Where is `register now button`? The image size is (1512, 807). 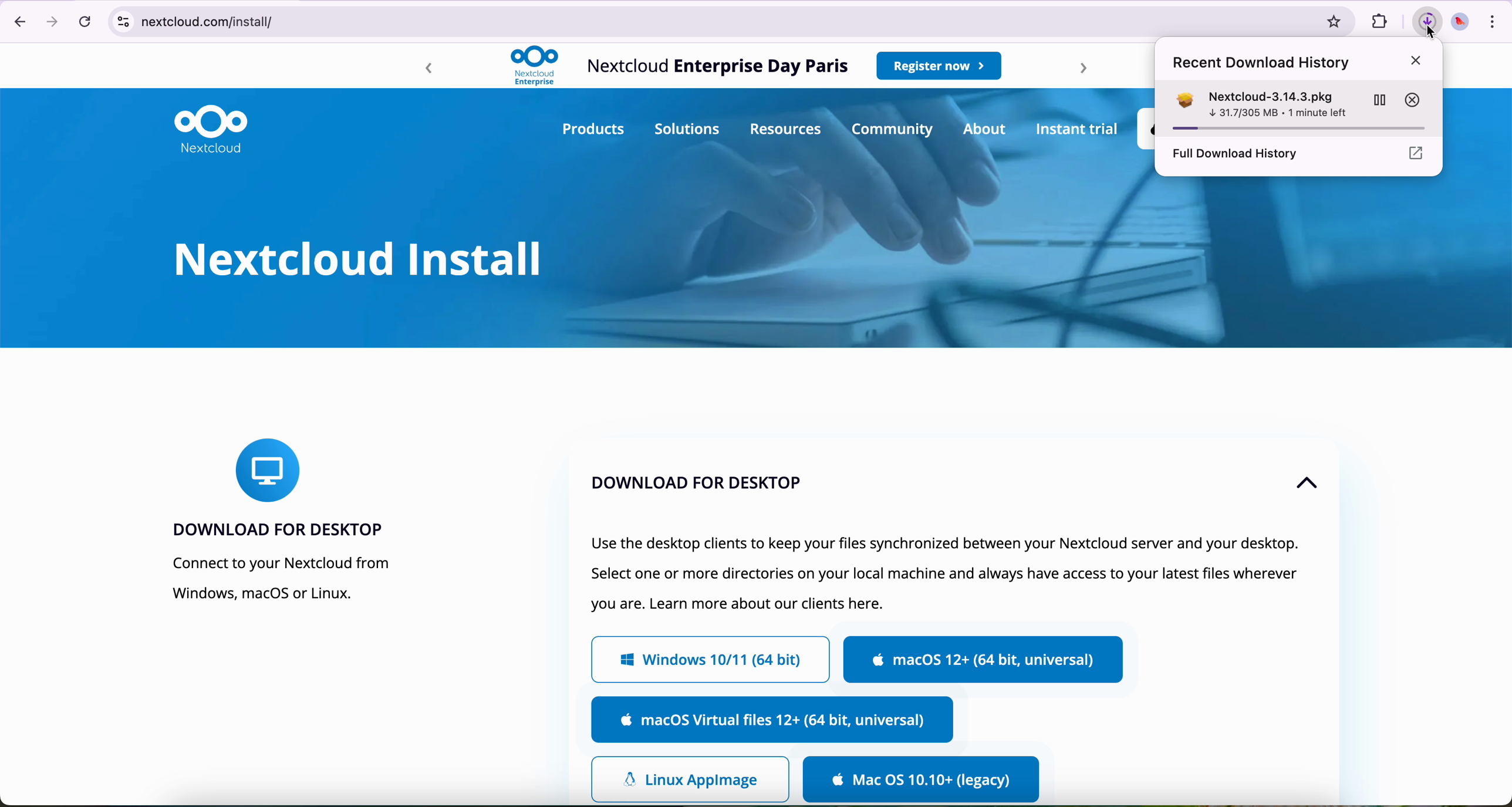
register now button is located at coordinates (939, 65).